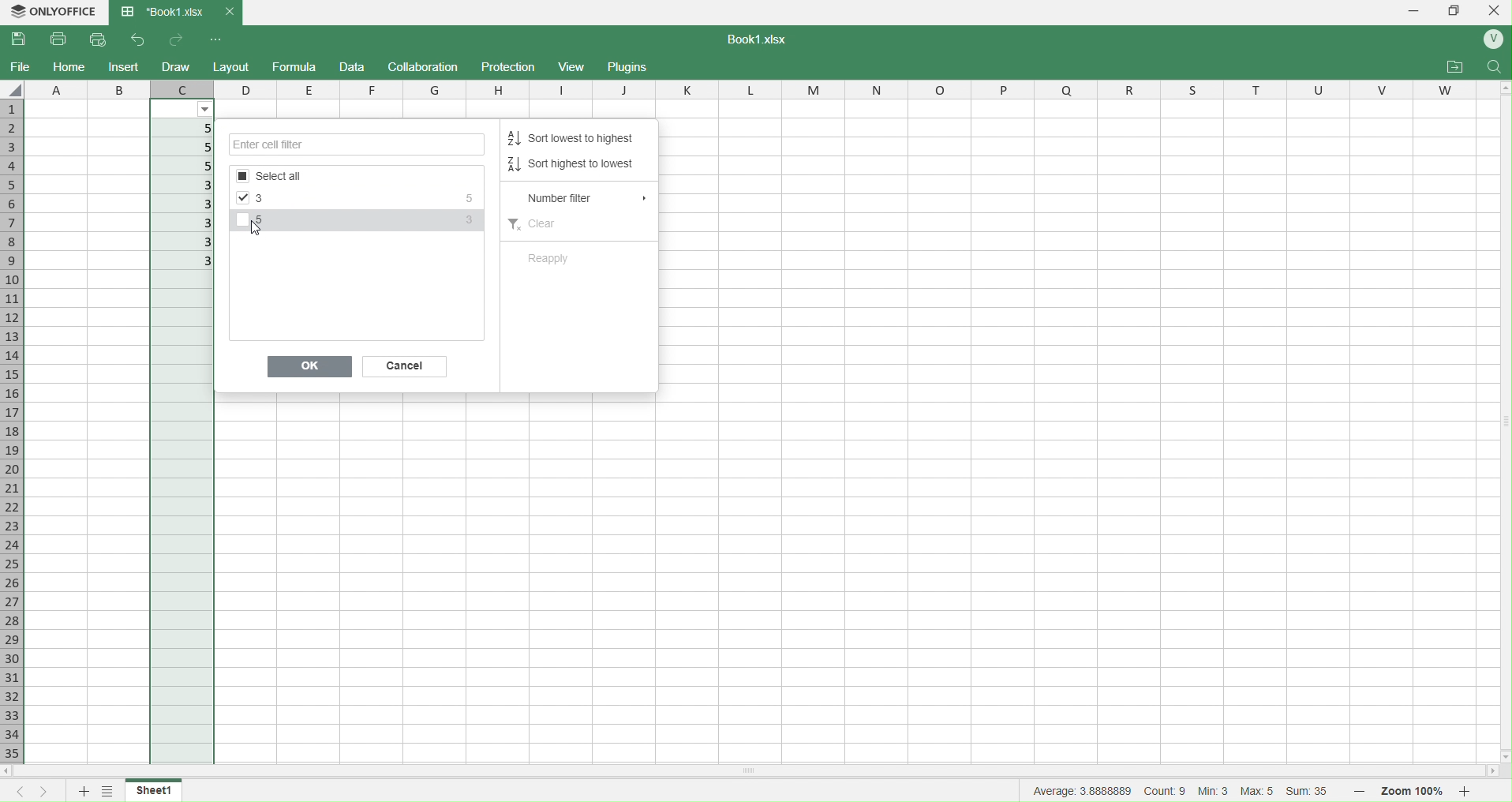 Image resolution: width=1512 pixels, height=802 pixels. Describe the element at coordinates (359, 145) in the screenshot. I see `Enter Cell Filter` at that location.